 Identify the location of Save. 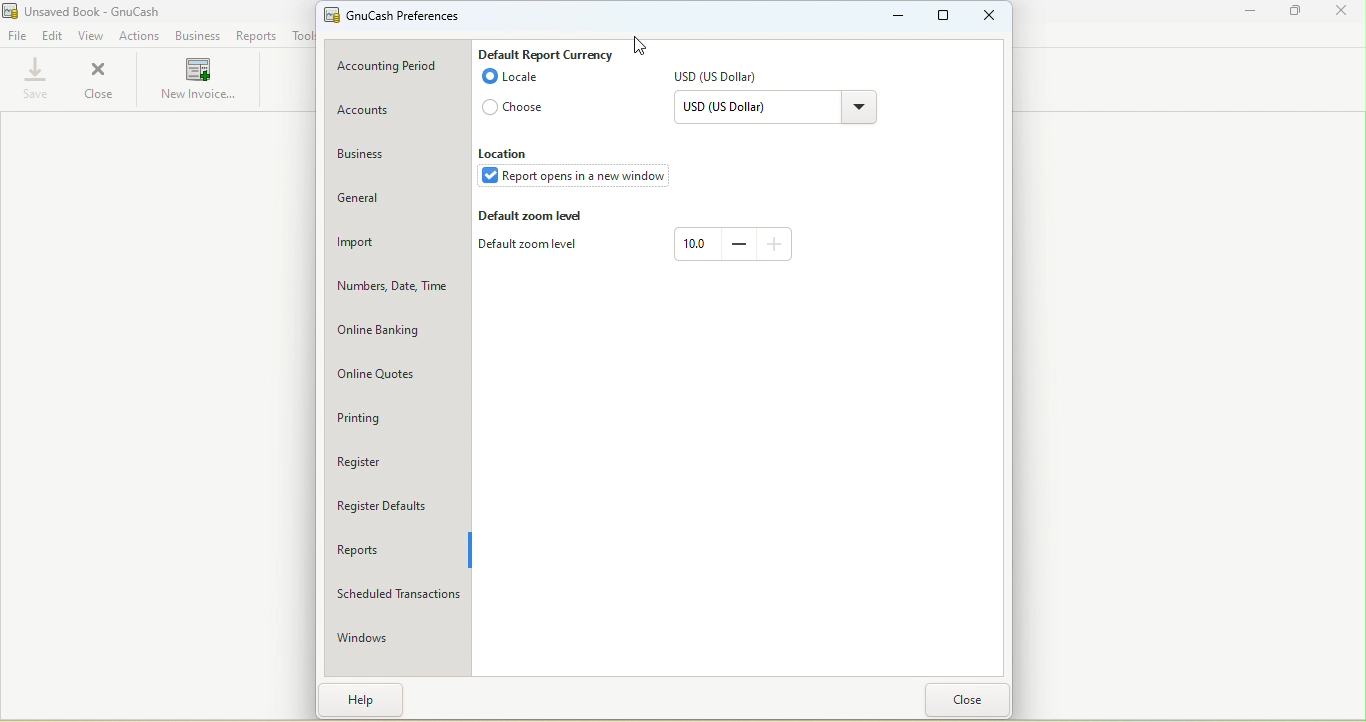
(31, 81).